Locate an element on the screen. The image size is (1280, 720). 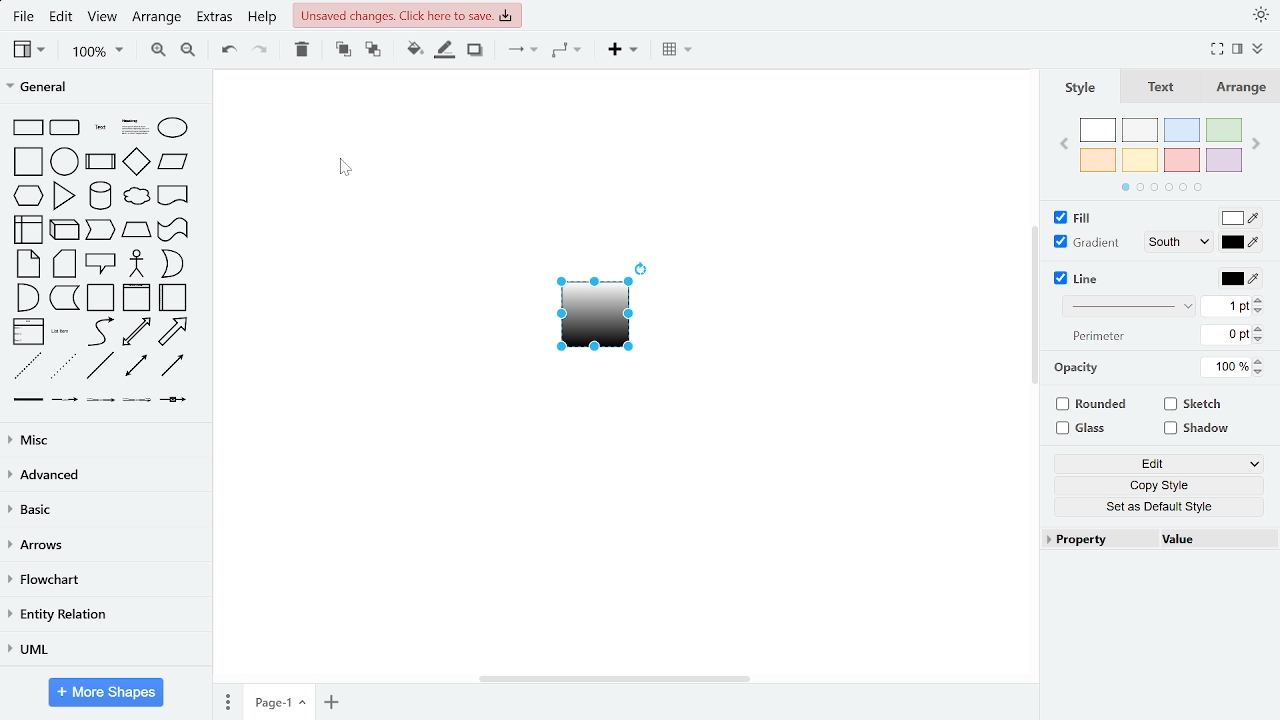
UML is located at coordinates (103, 646).